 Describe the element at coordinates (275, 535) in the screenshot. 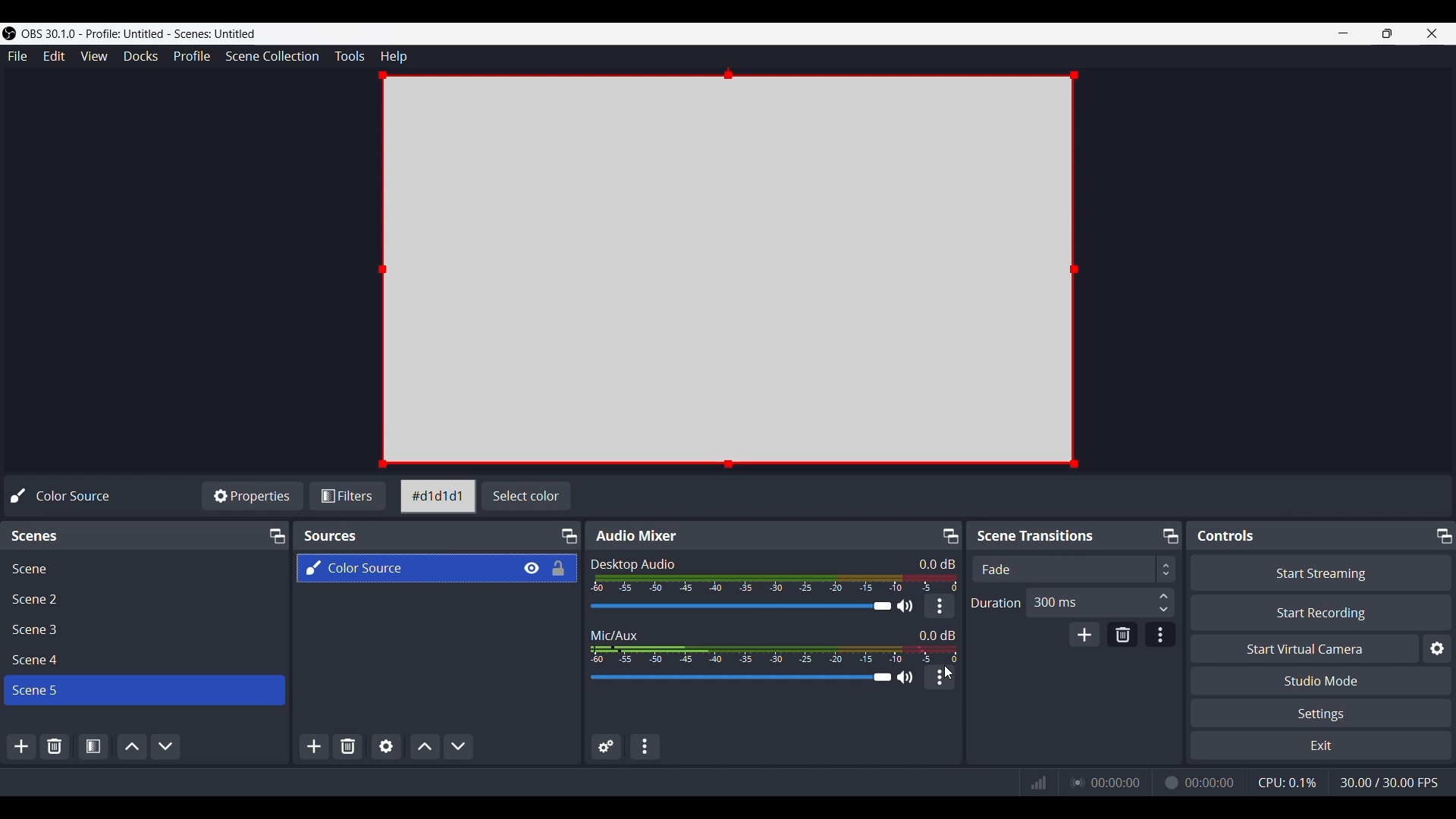

I see `Maximize` at that location.